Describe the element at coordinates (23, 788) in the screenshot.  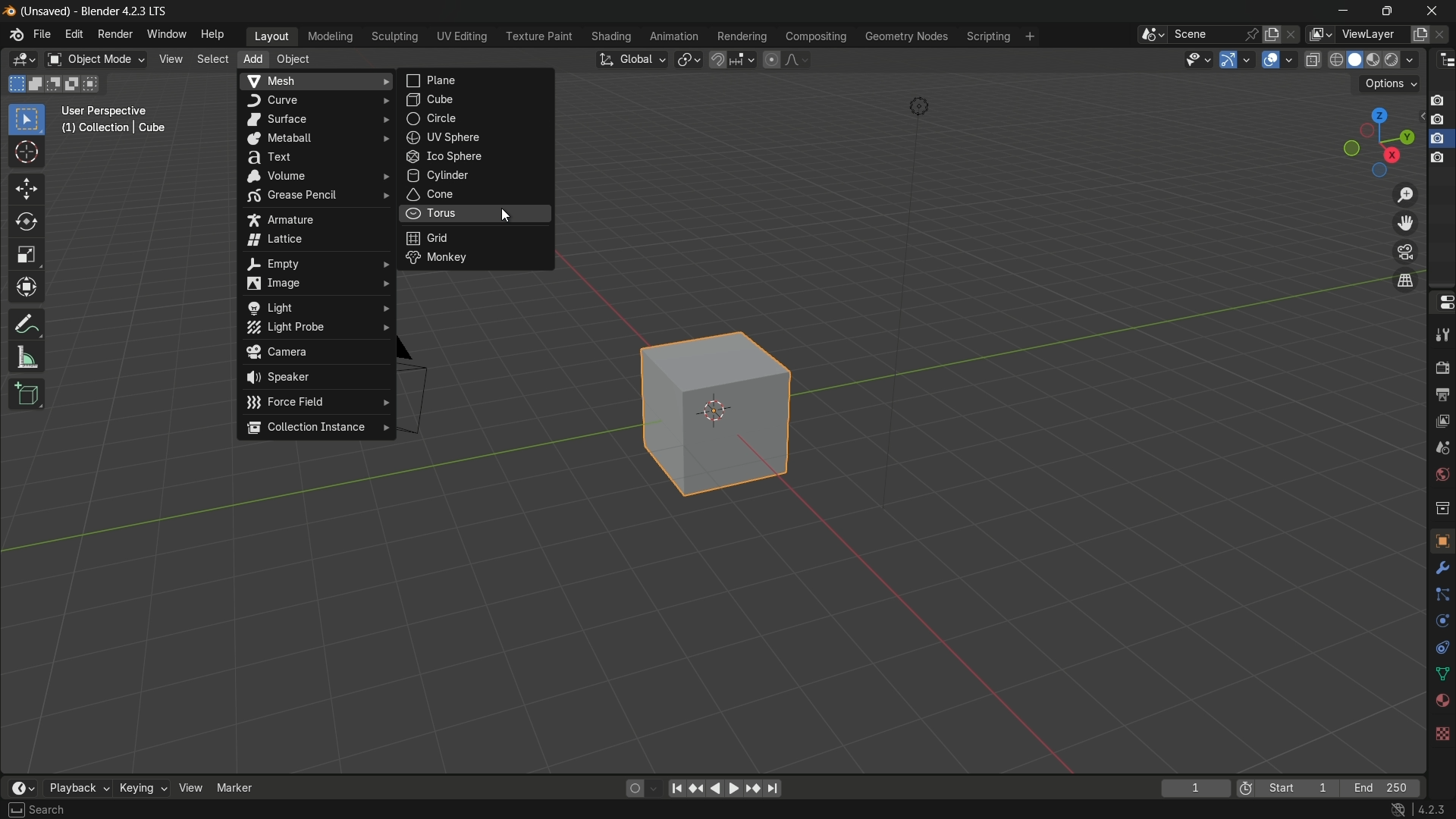
I see `timeline` at that location.